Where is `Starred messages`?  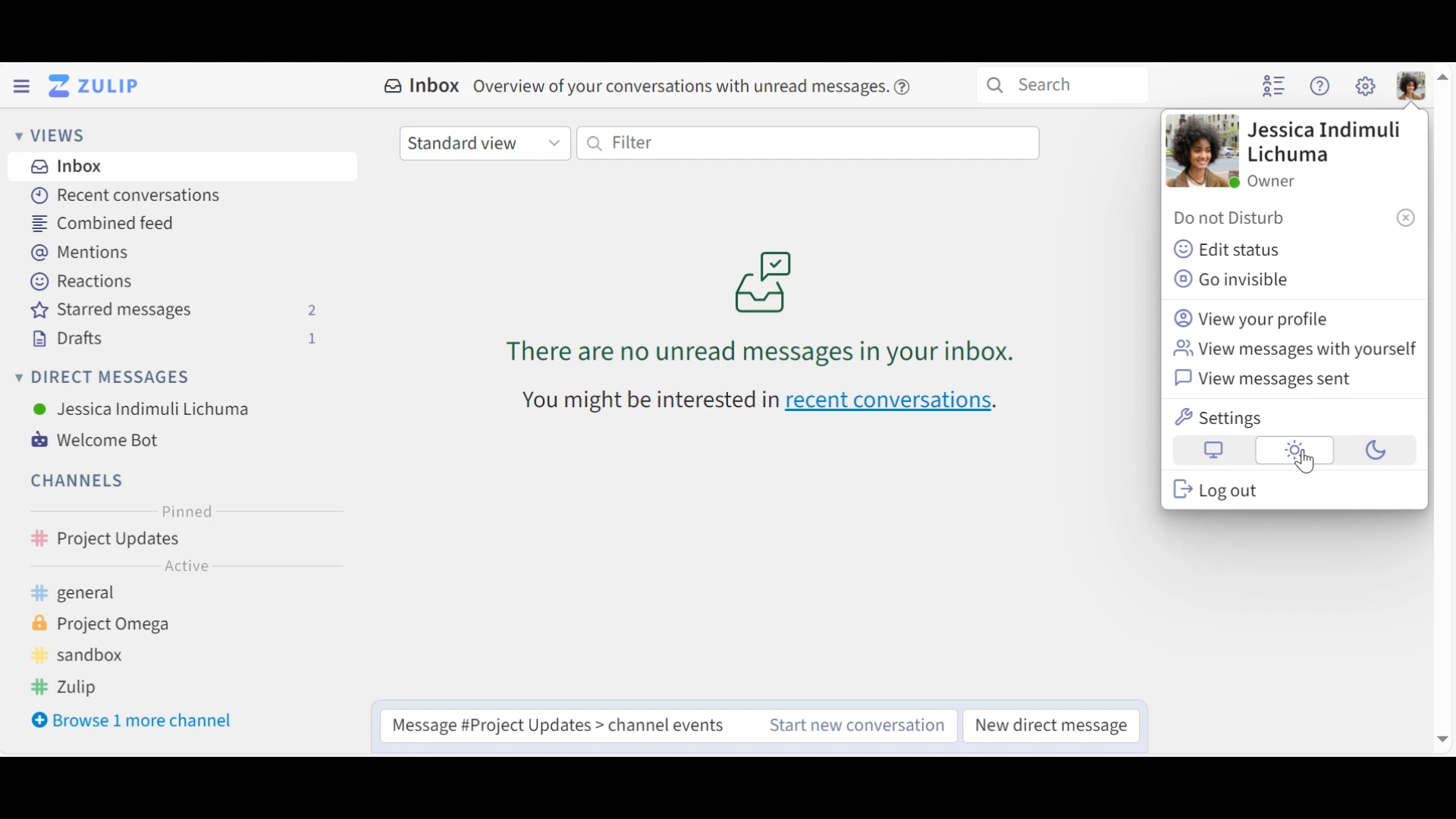
Starred messages is located at coordinates (178, 312).